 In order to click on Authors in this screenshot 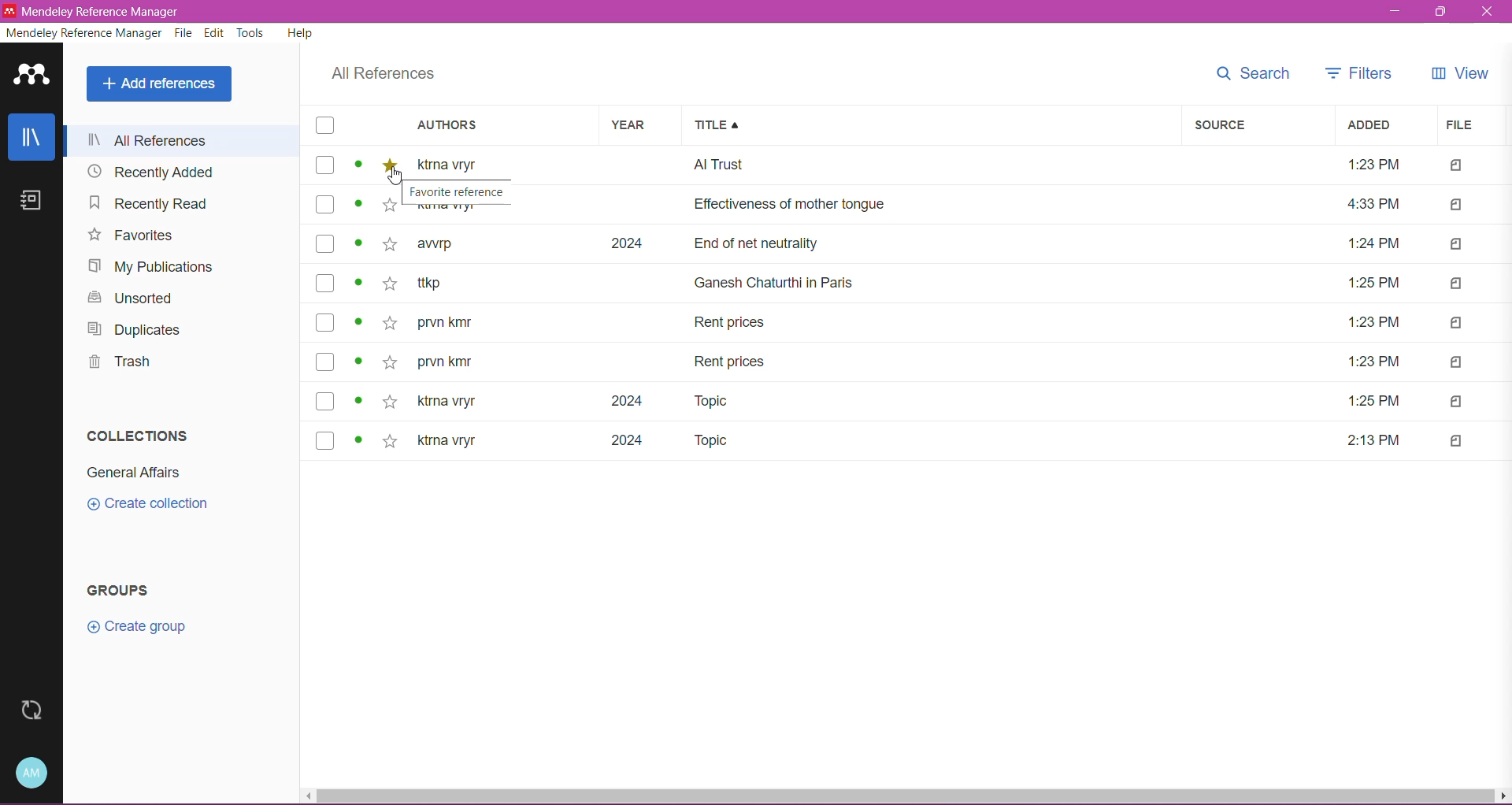, I will do `click(496, 125)`.